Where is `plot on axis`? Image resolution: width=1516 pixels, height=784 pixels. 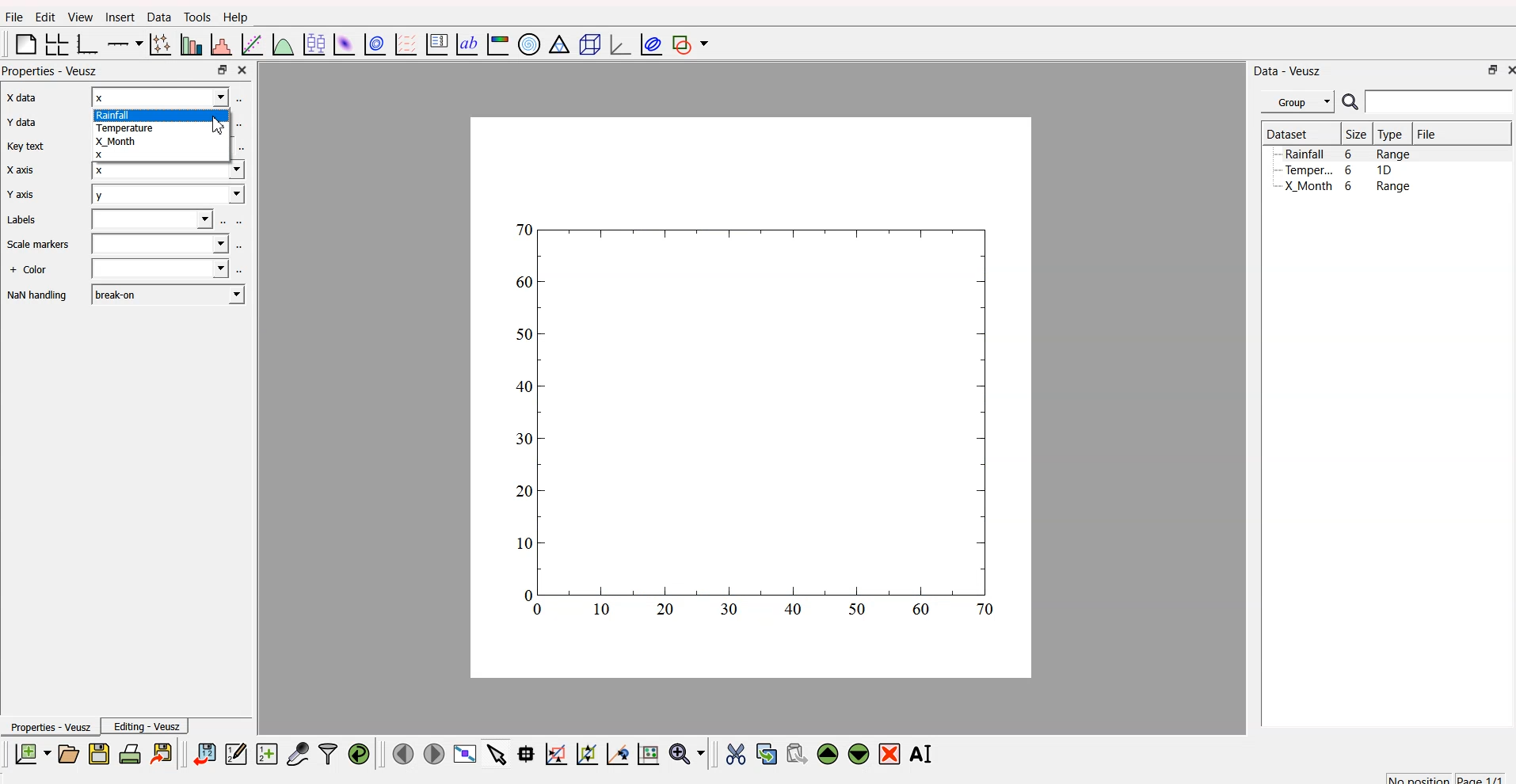 plot on axis is located at coordinates (126, 43).